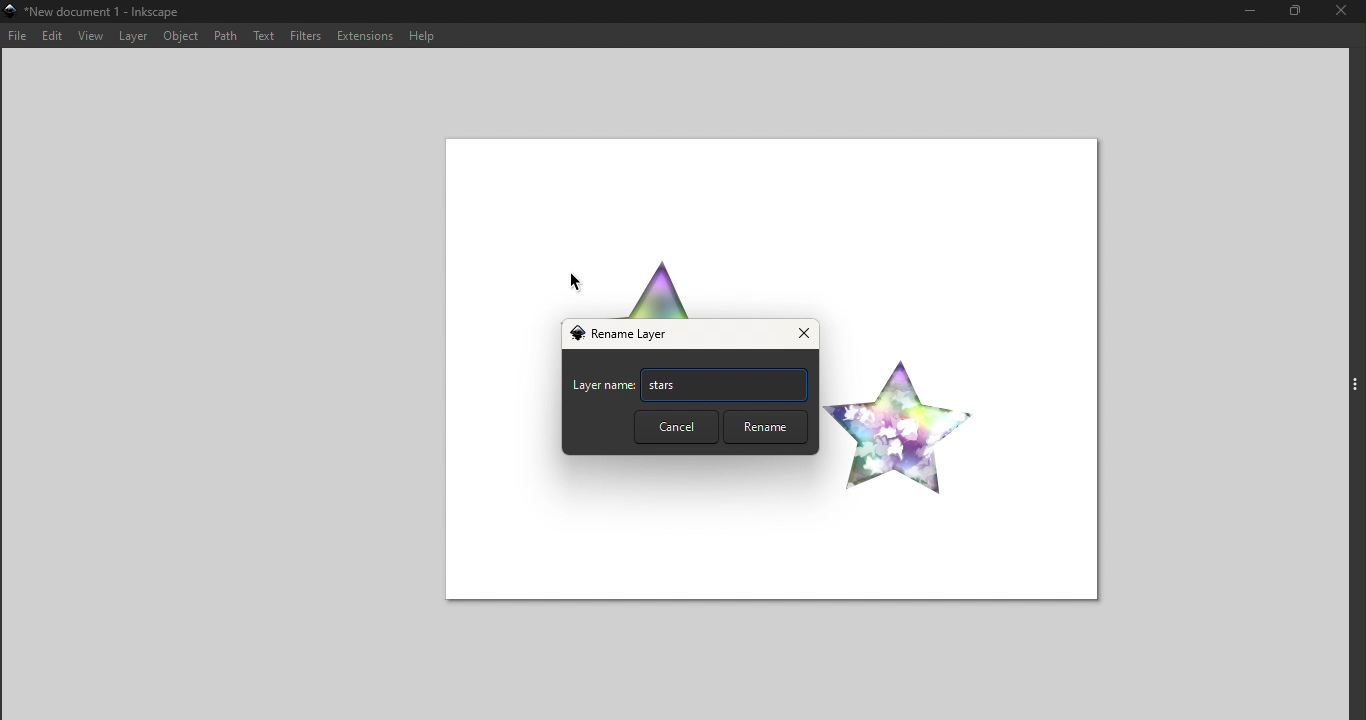 This screenshot has width=1366, height=720. I want to click on maximize, so click(1301, 14).